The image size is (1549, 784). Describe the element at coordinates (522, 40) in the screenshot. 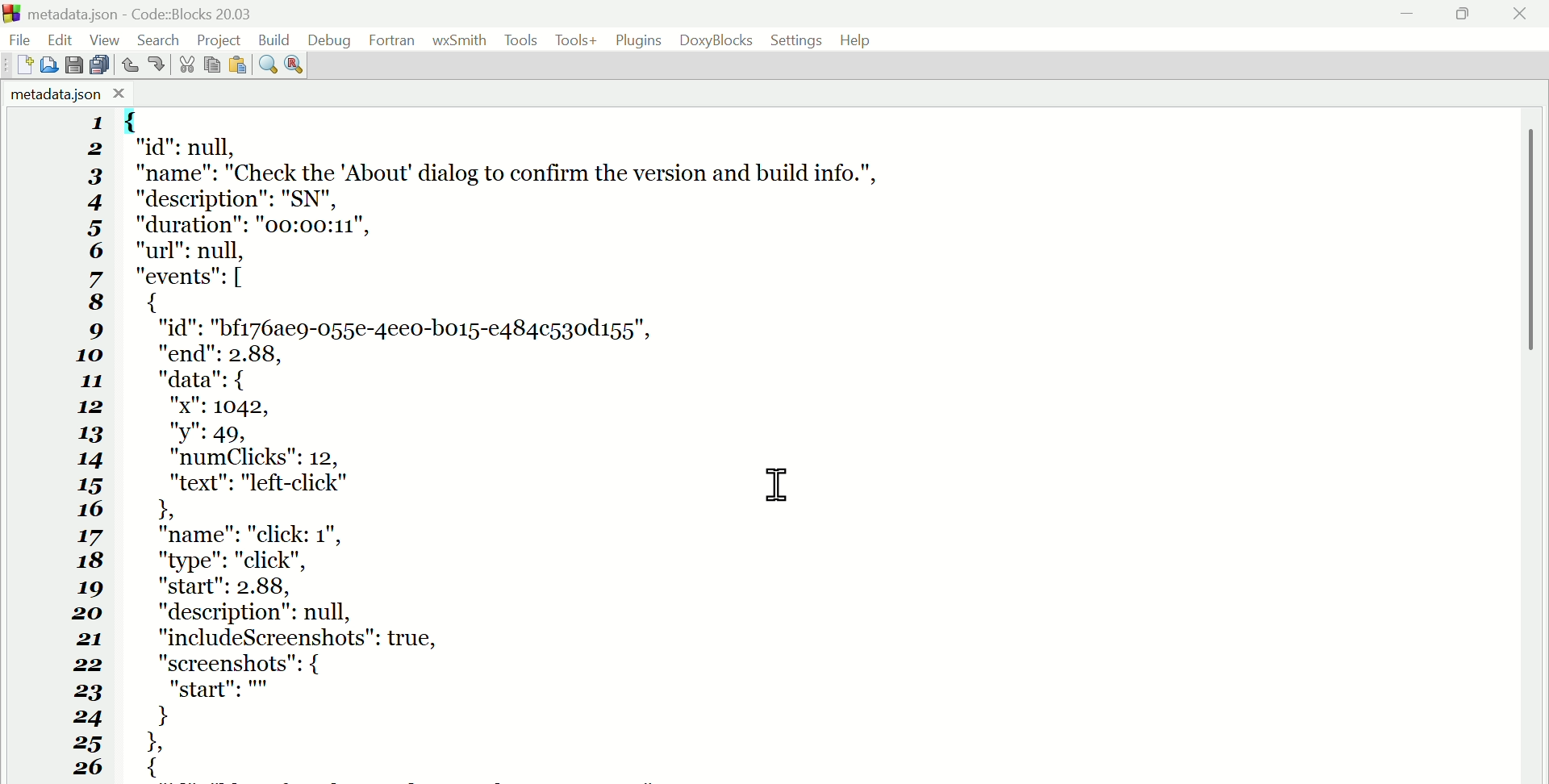

I see `Tools` at that location.